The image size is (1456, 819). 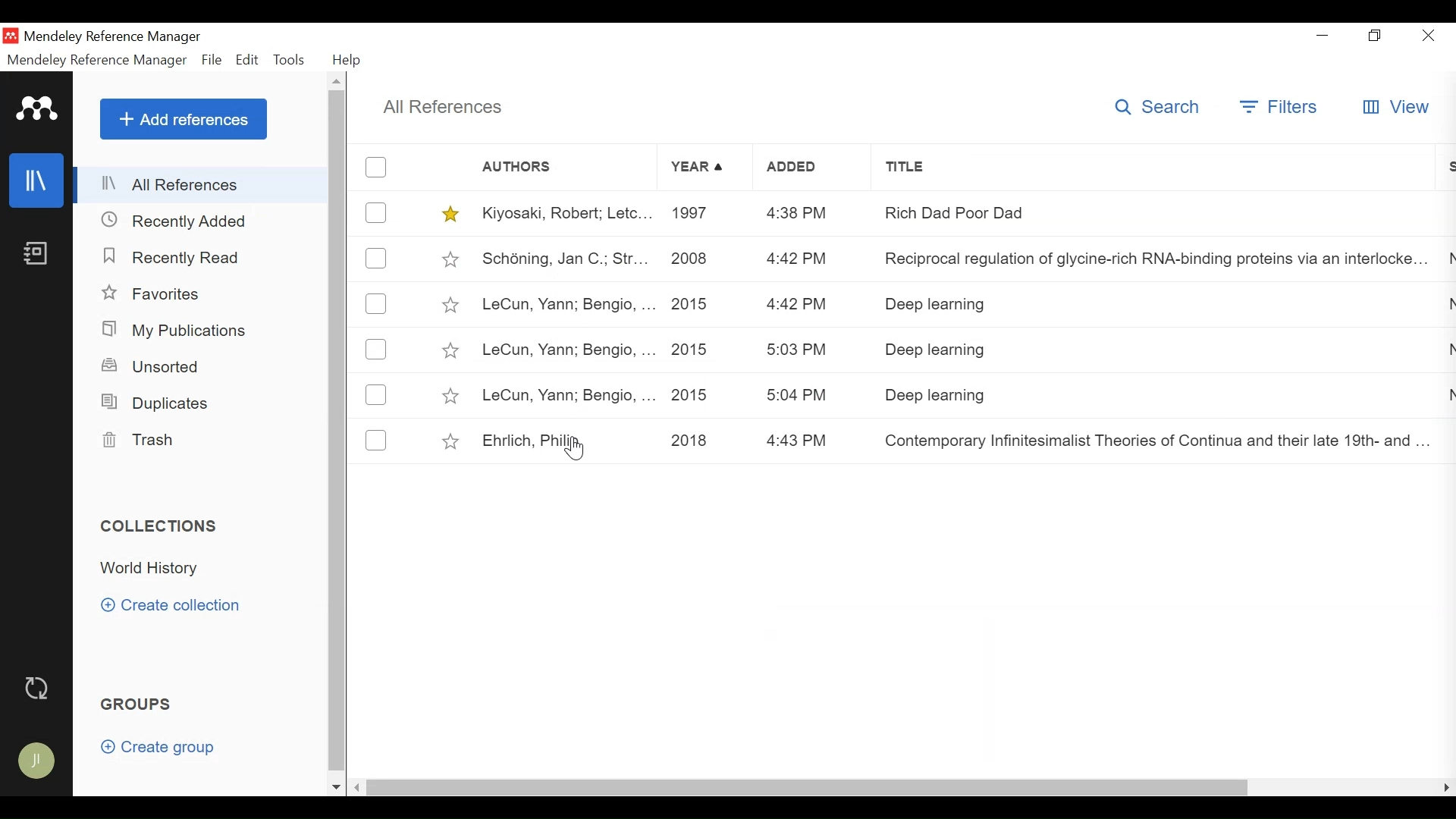 I want to click on (un)select, so click(x=376, y=440).